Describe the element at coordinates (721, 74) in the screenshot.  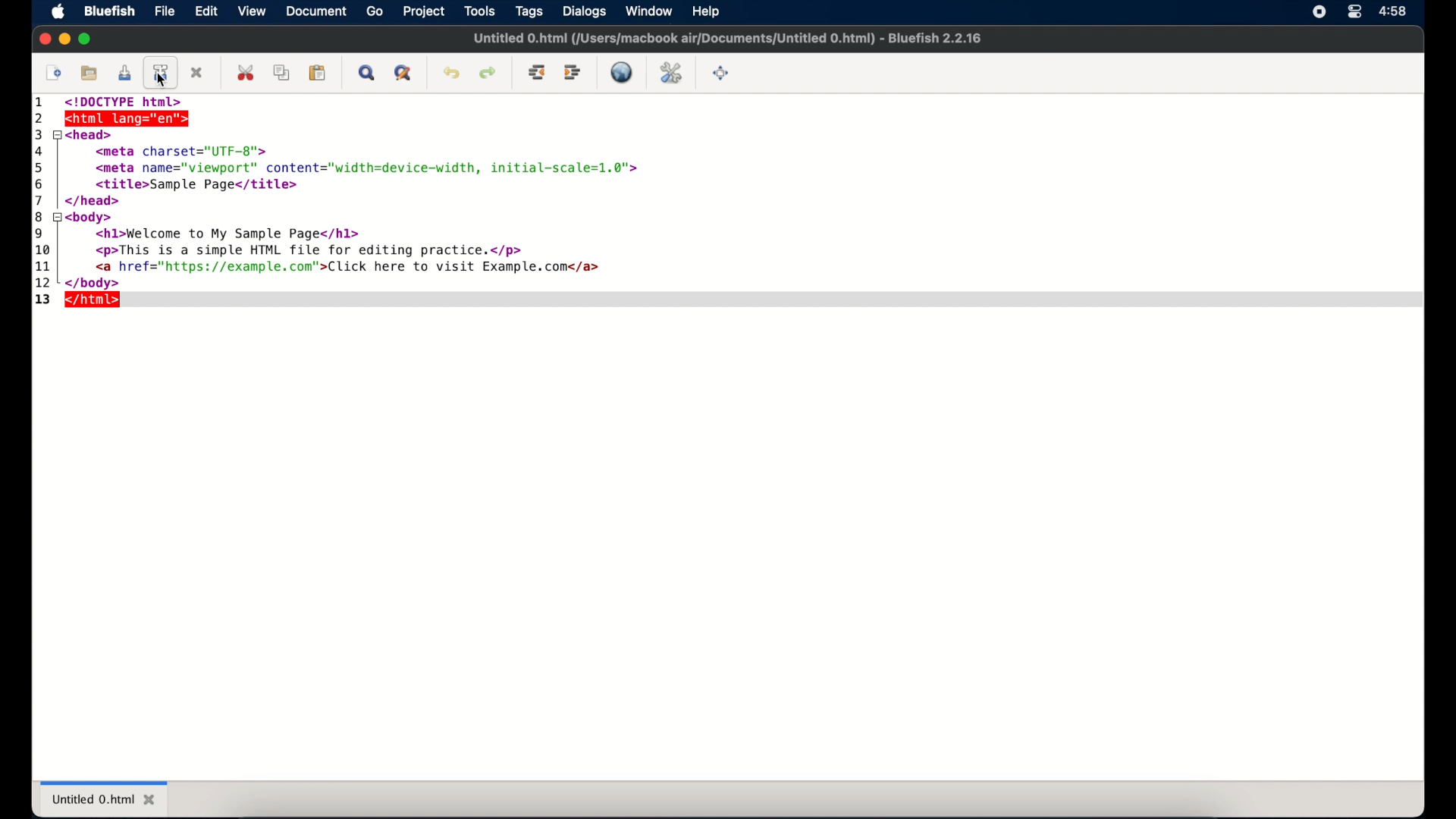
I see `full screen` at that location.